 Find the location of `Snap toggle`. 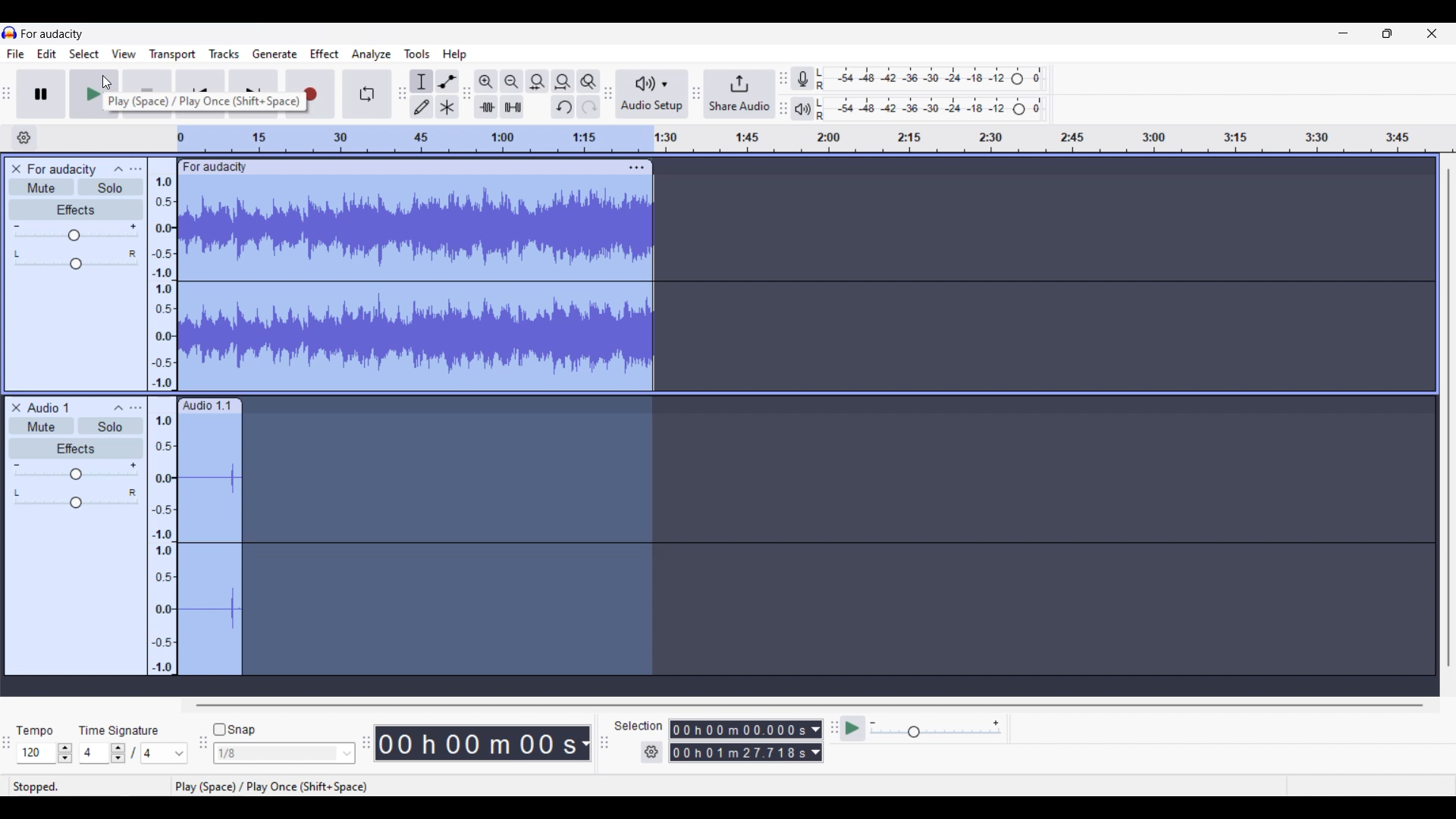

Snap toggle is located at coordinates (234, 730).